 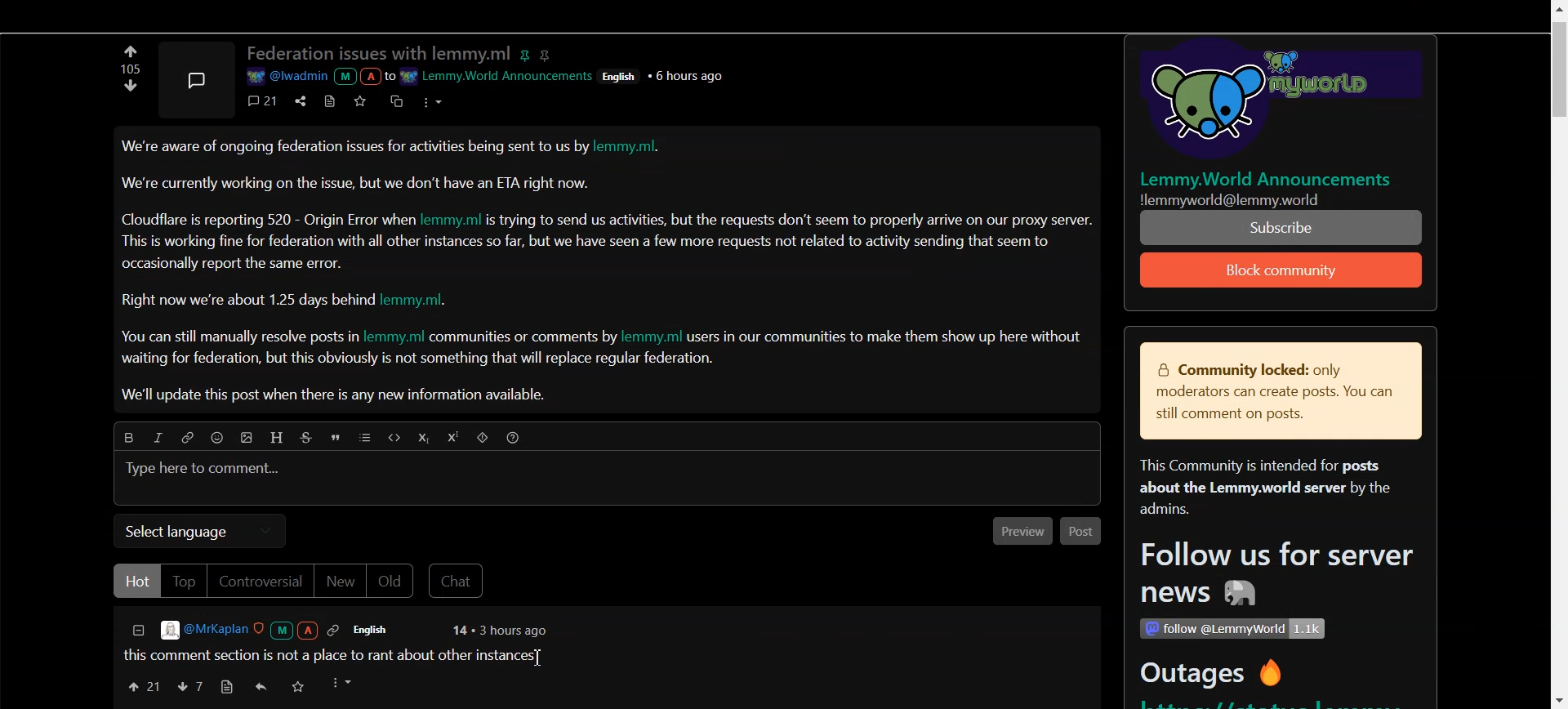 What do you see at coordinates (791, 221) in the screenshot?
I see `s trying to send us activities, but the requests don’t seem to properly arrive on our proxy server.` at bounding box center [791, 221].